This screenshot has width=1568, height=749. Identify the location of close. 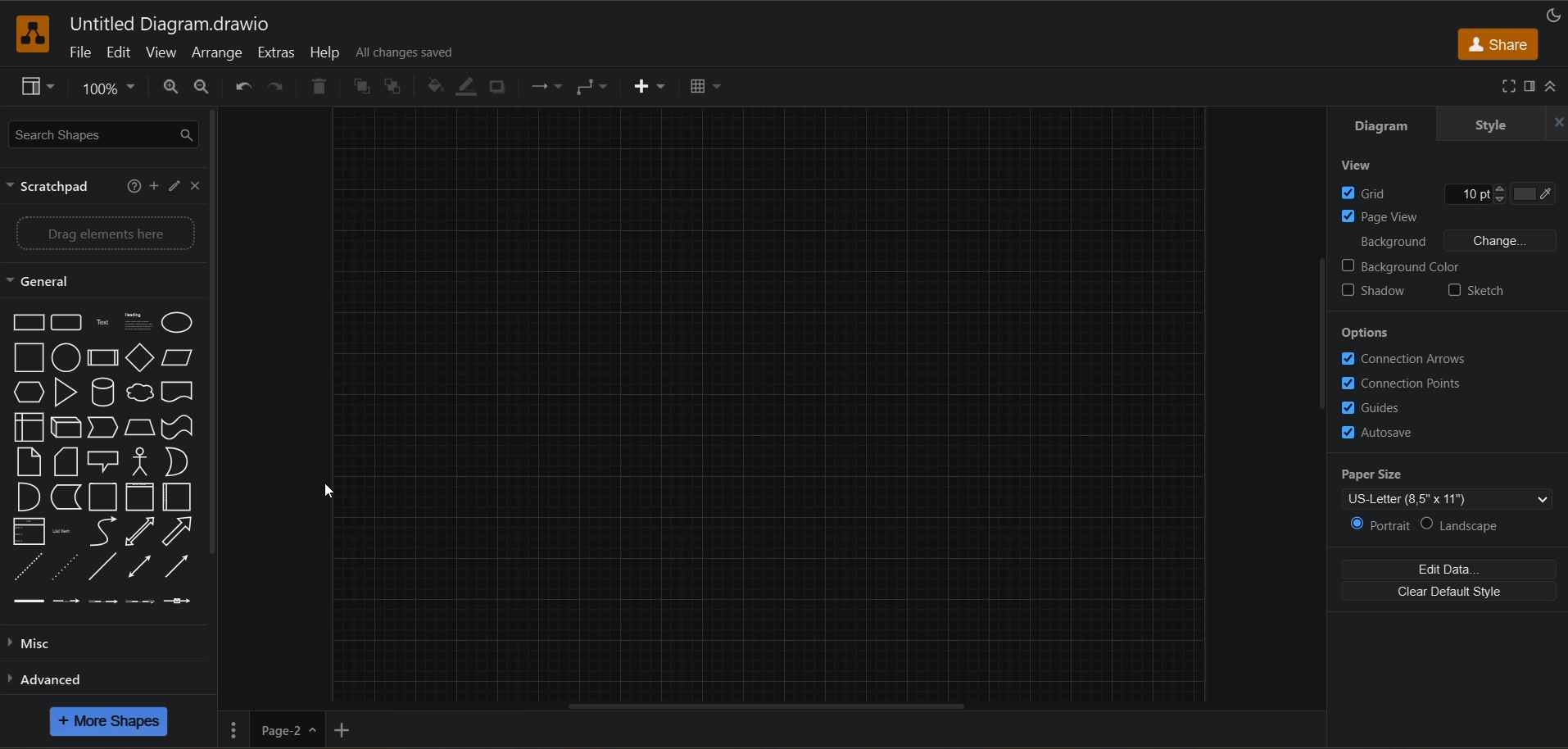
(194, 186).